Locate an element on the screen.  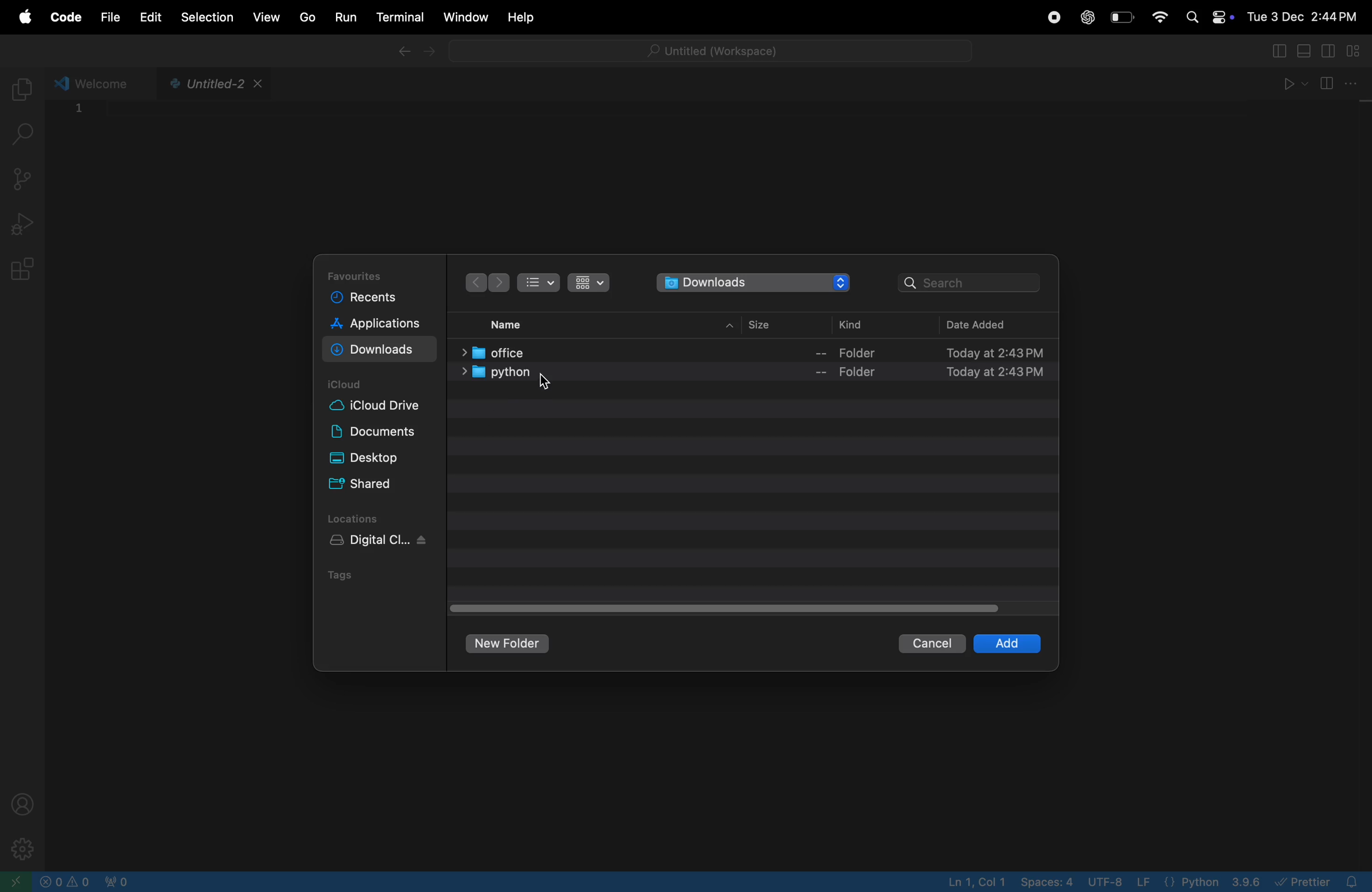
recents is located at coordinates (376, 299).